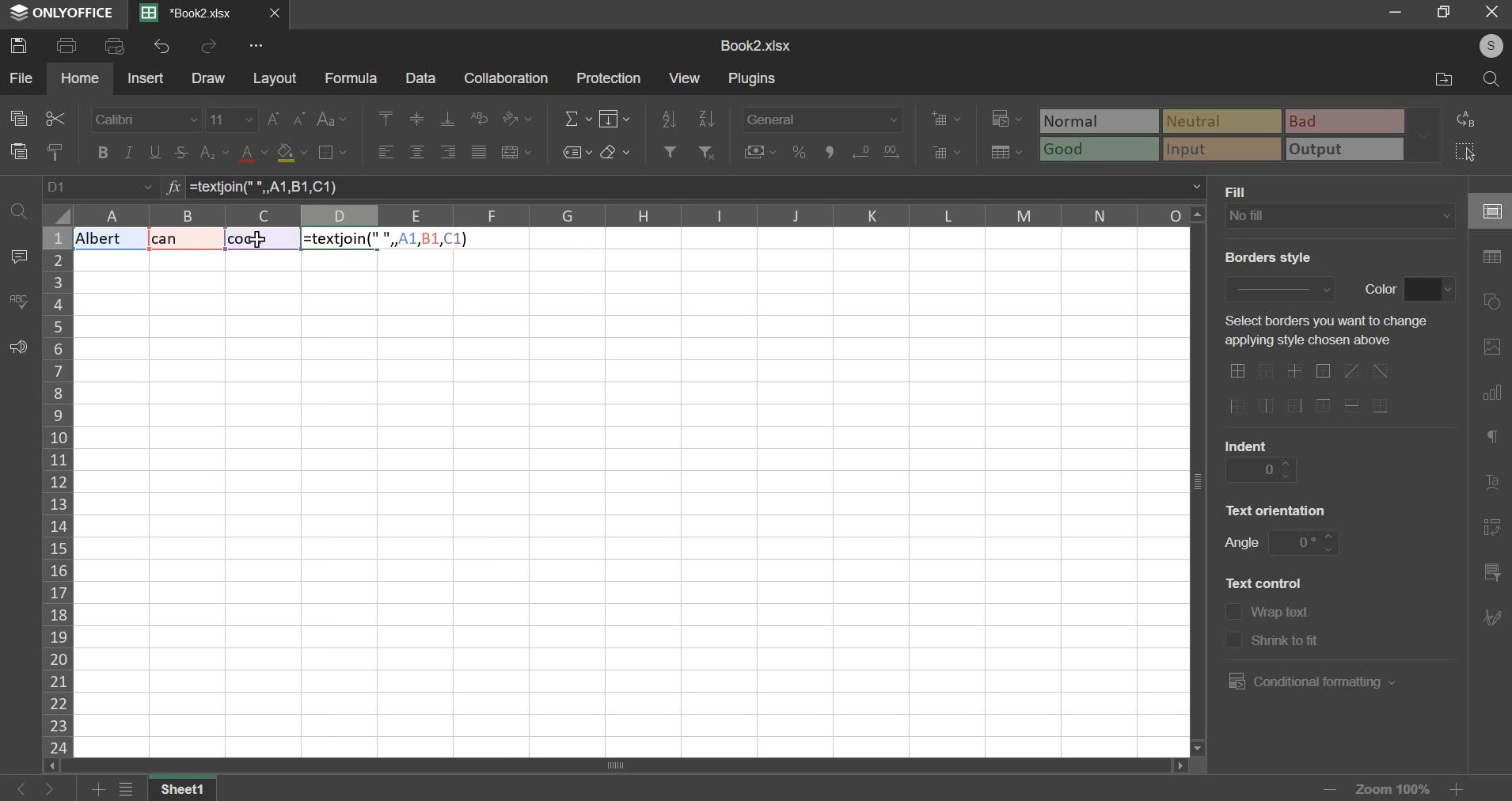 The image size is (1512, 801). What do you see at coordinates (332, 151) in the screenshot?
I see `border` at bounding box center [332, 151].